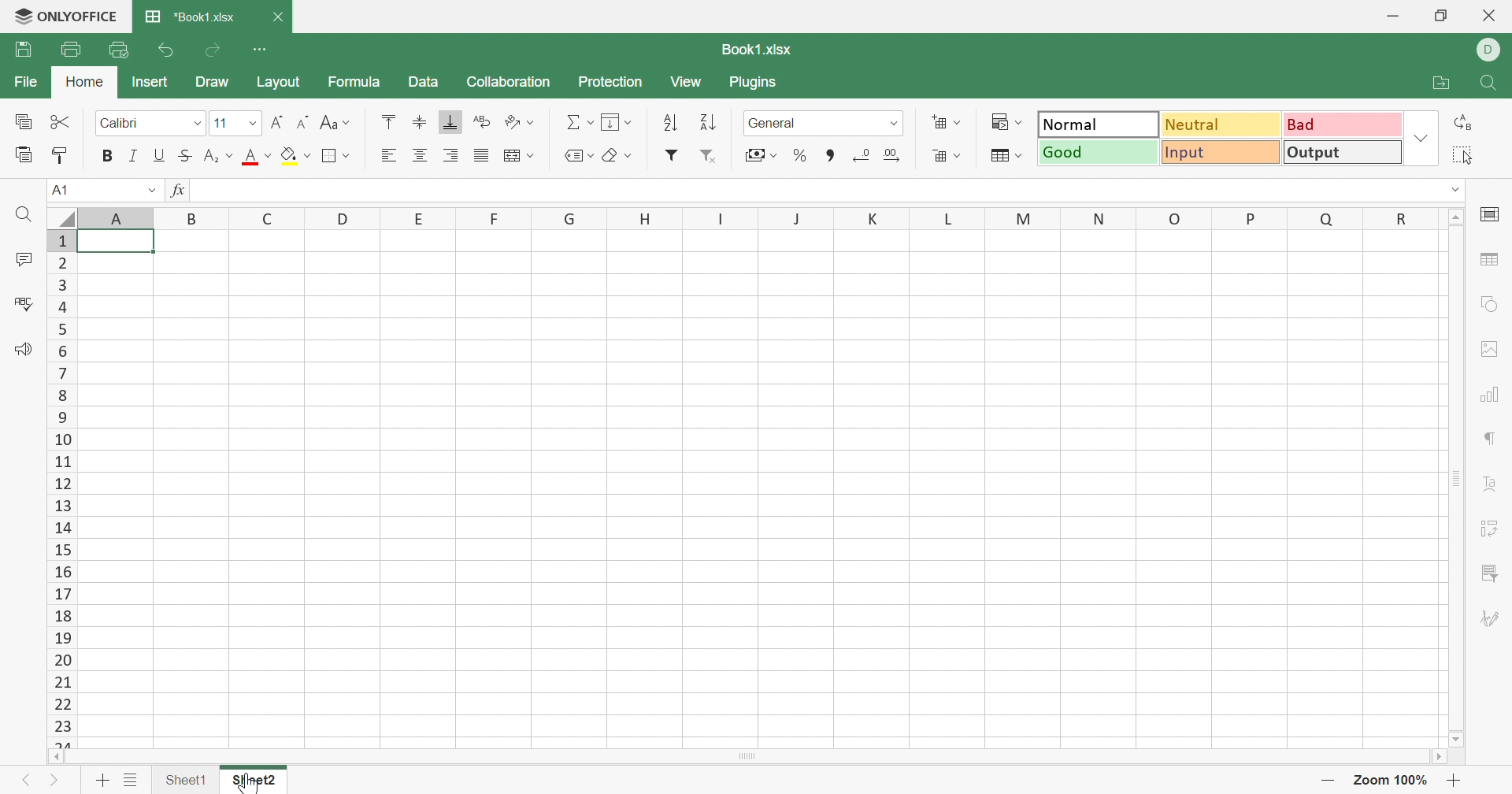 The height and width of the screenshot is (794, 1512). I want to click on Customize Quick access toolbar, so click(264, 49).